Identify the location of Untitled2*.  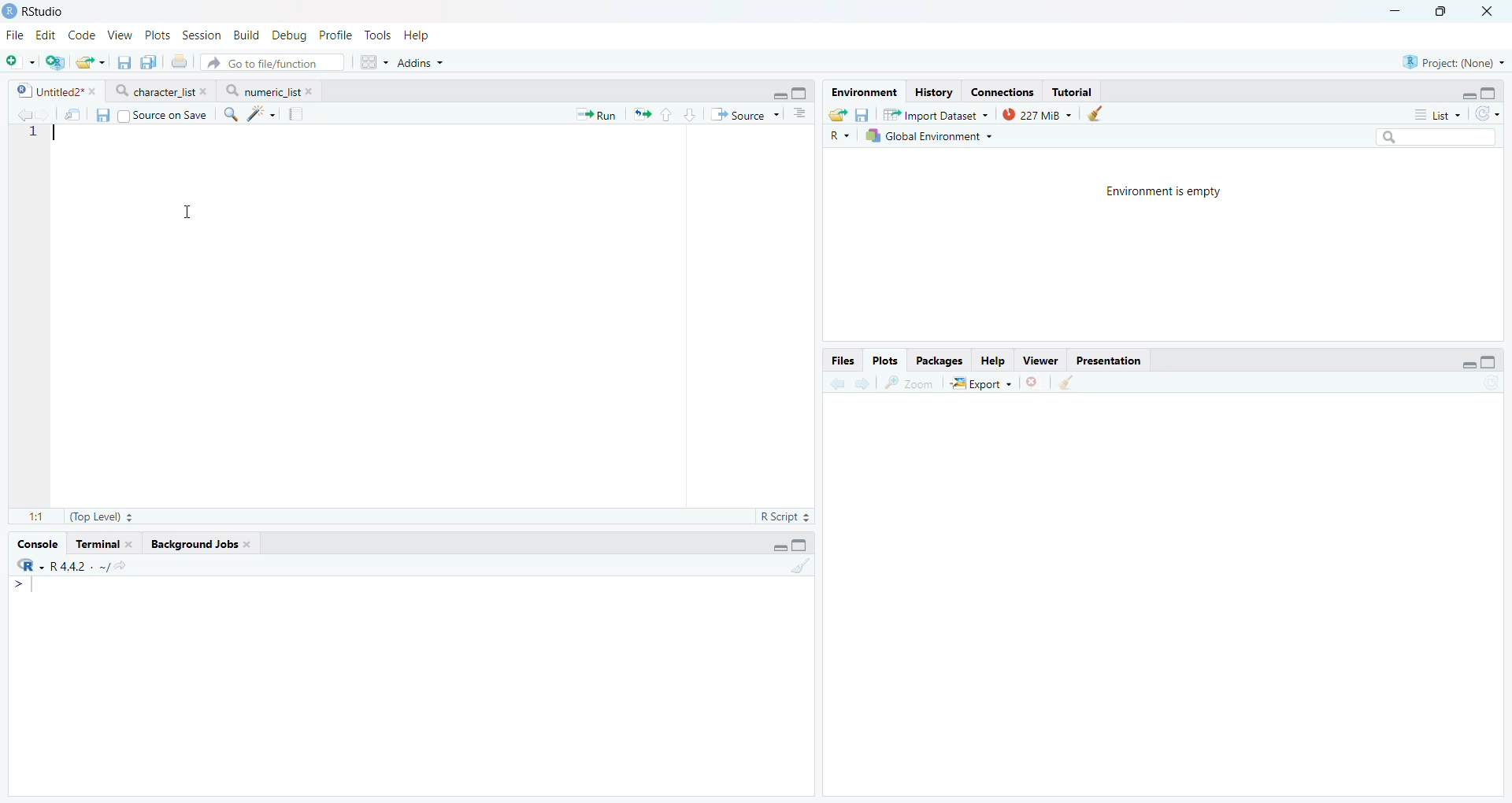
(55, 91).